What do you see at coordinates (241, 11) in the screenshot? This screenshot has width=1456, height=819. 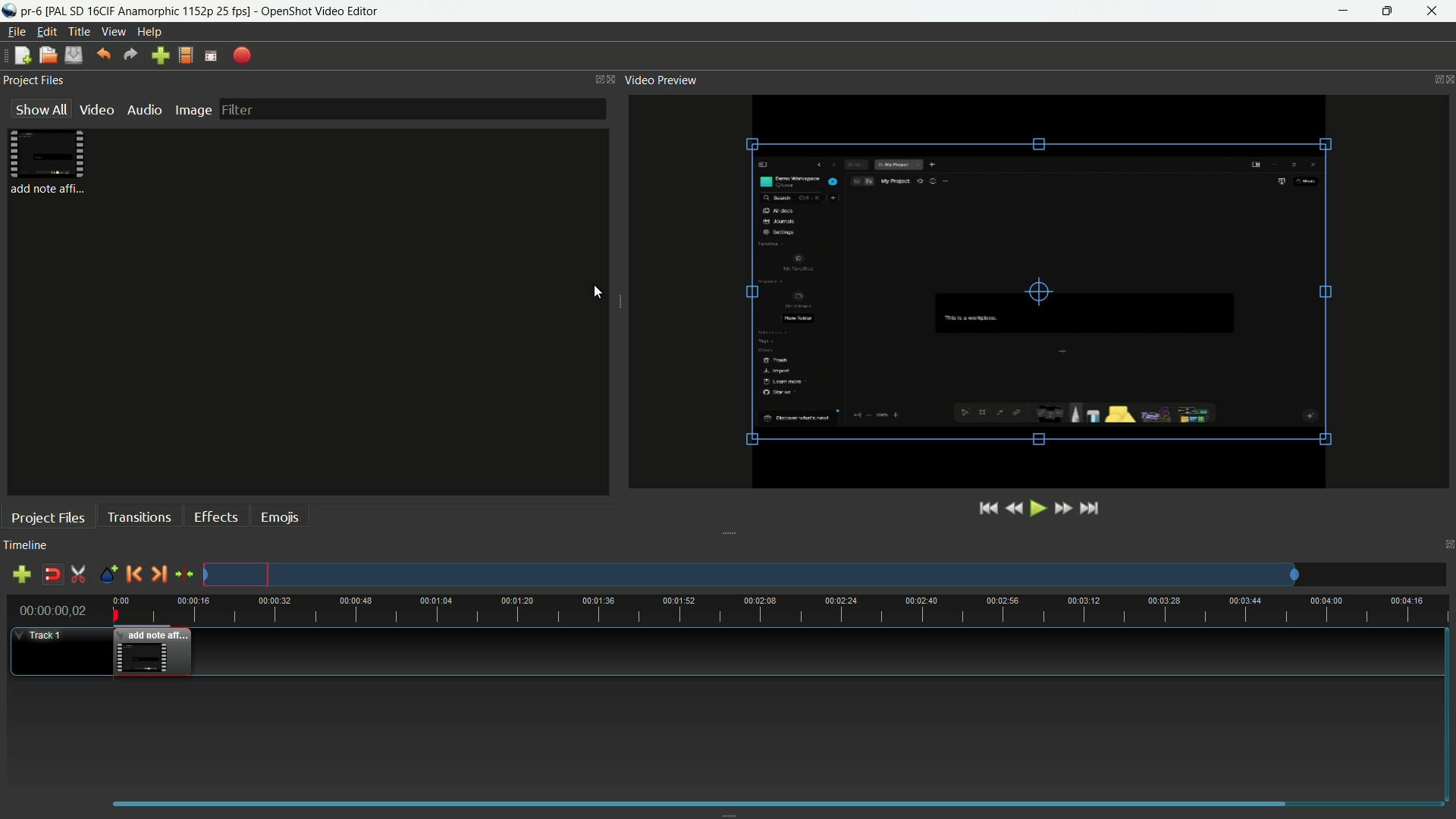 I see `Untitled Project [PAL SD 16CIF Anamorphic 1152p 25 fps] - OpenShot Video Editor` at bounding box center [241, 11].